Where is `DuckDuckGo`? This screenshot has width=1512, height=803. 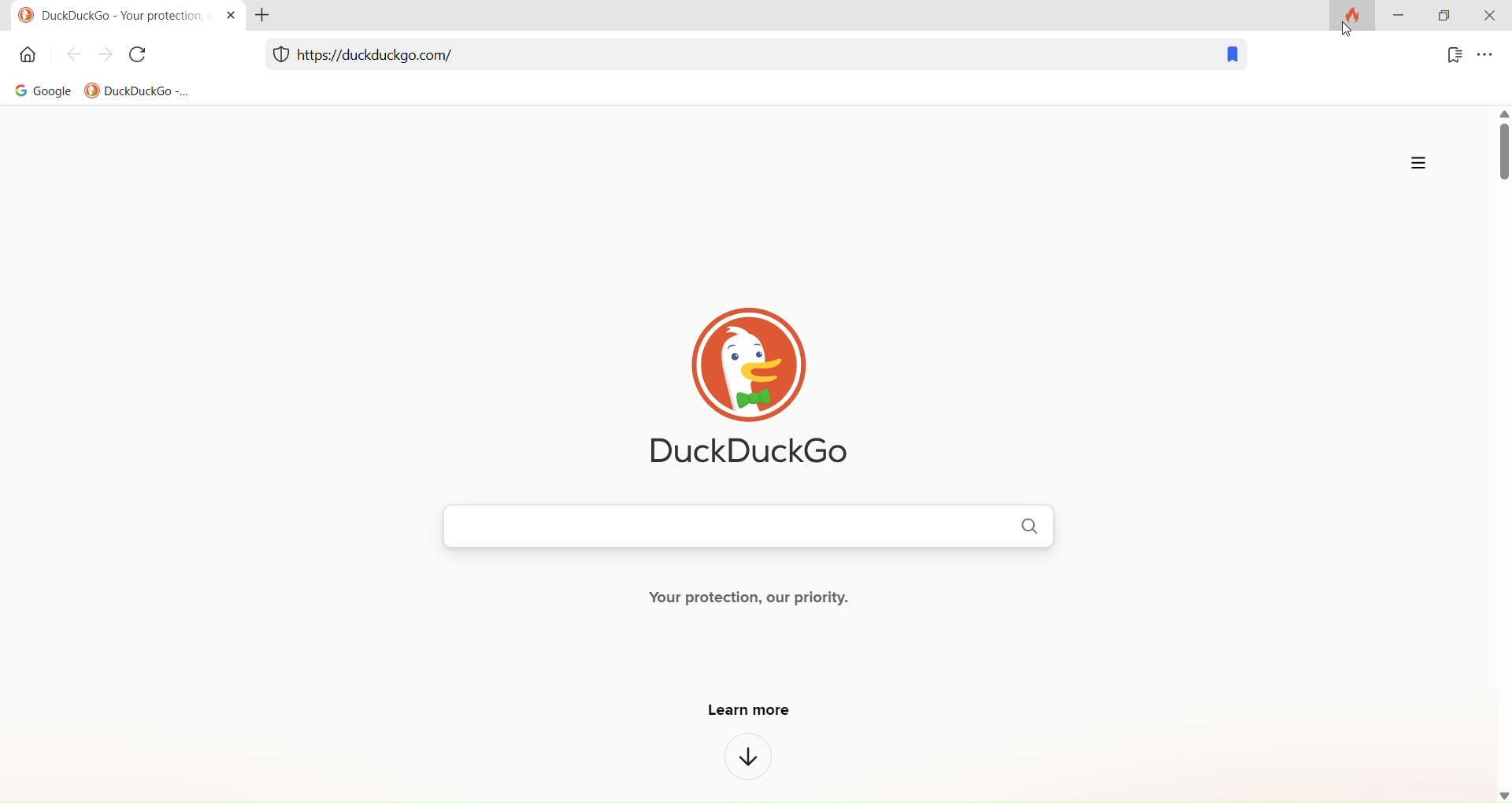 DuckDuckGo is located at coordinates (135, 94).